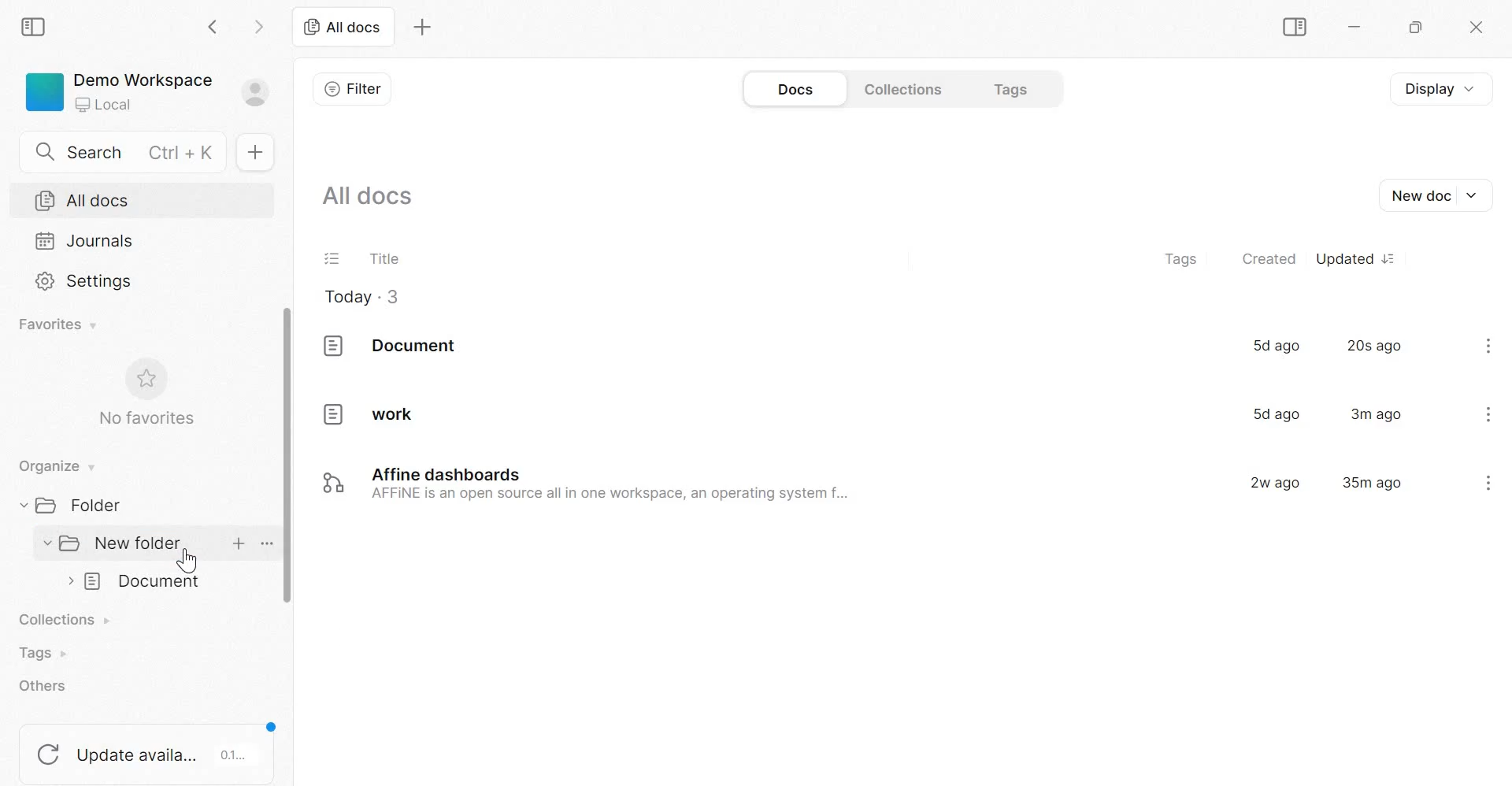 This screenshot has width=1512, height=786. What do you see at coordinates (55, 464) in the screenshot?
I see `Organize` at bounding box center [55, 464].